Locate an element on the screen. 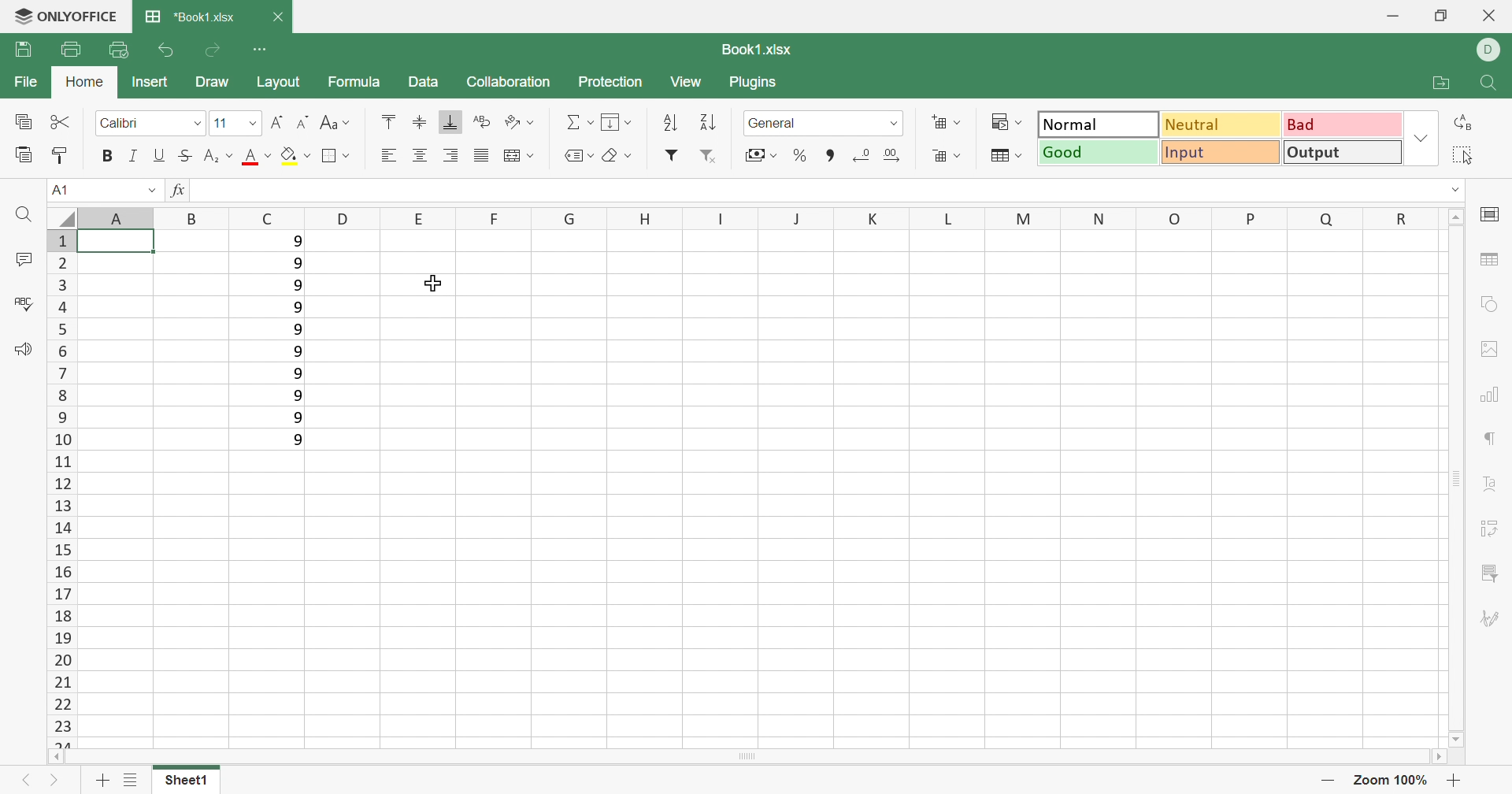 The height and width of the screenshot is (794, 1512). Paste is located at coordinates (23, 155).